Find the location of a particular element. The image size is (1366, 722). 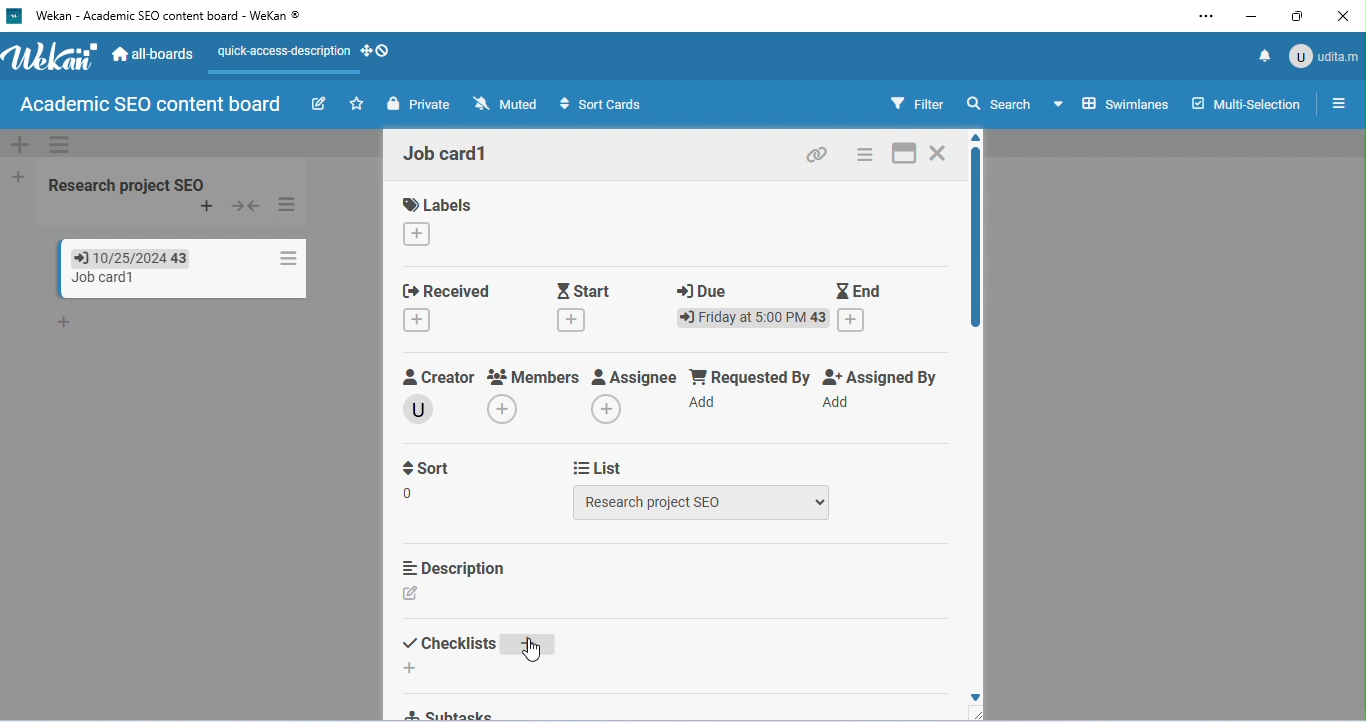

change the labels is located at coordinates (419, 235).